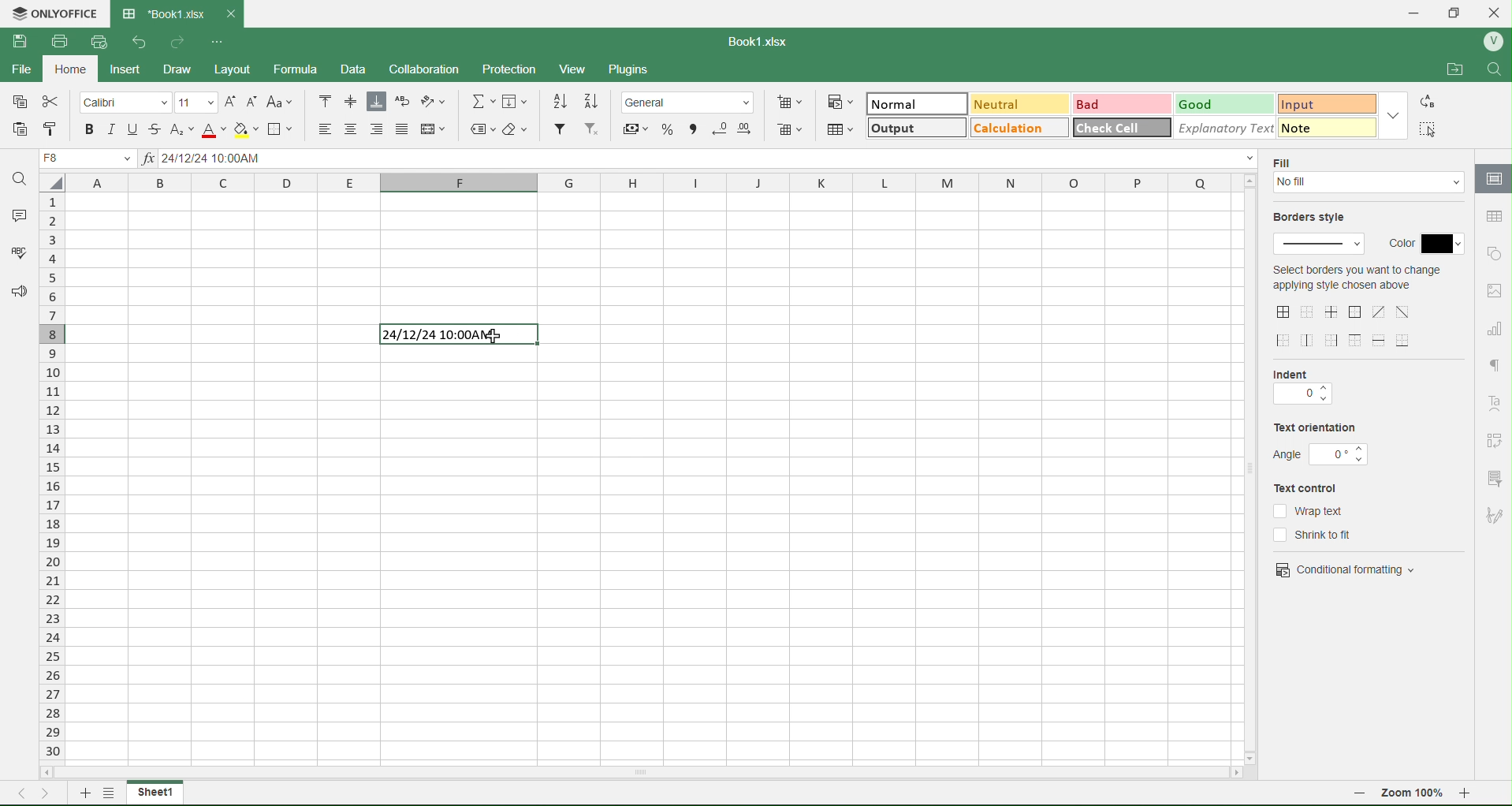  I want to click on minimize, so click(1414, 13).